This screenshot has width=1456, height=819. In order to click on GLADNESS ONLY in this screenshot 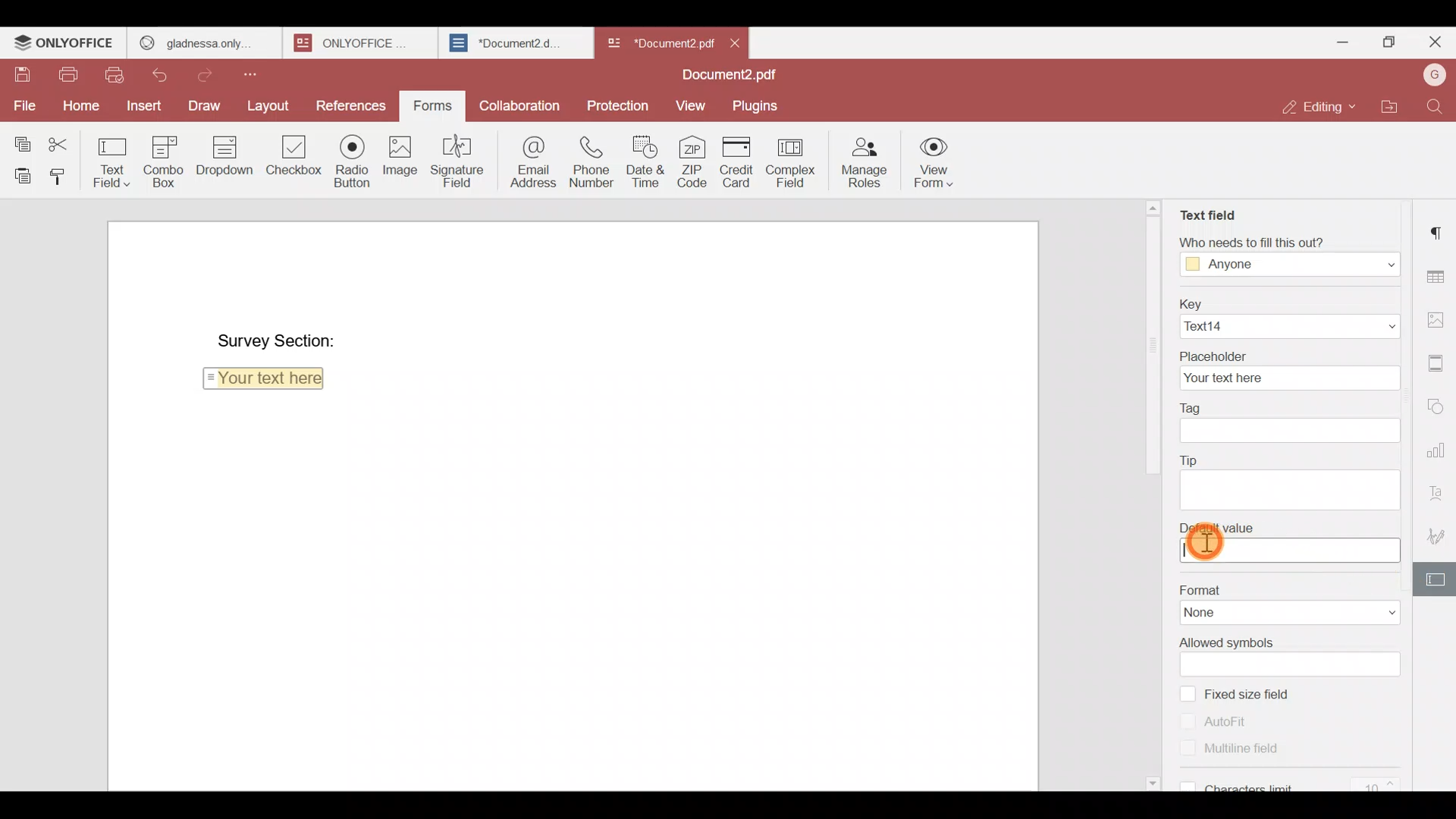, I will do `click(199, 39)`.